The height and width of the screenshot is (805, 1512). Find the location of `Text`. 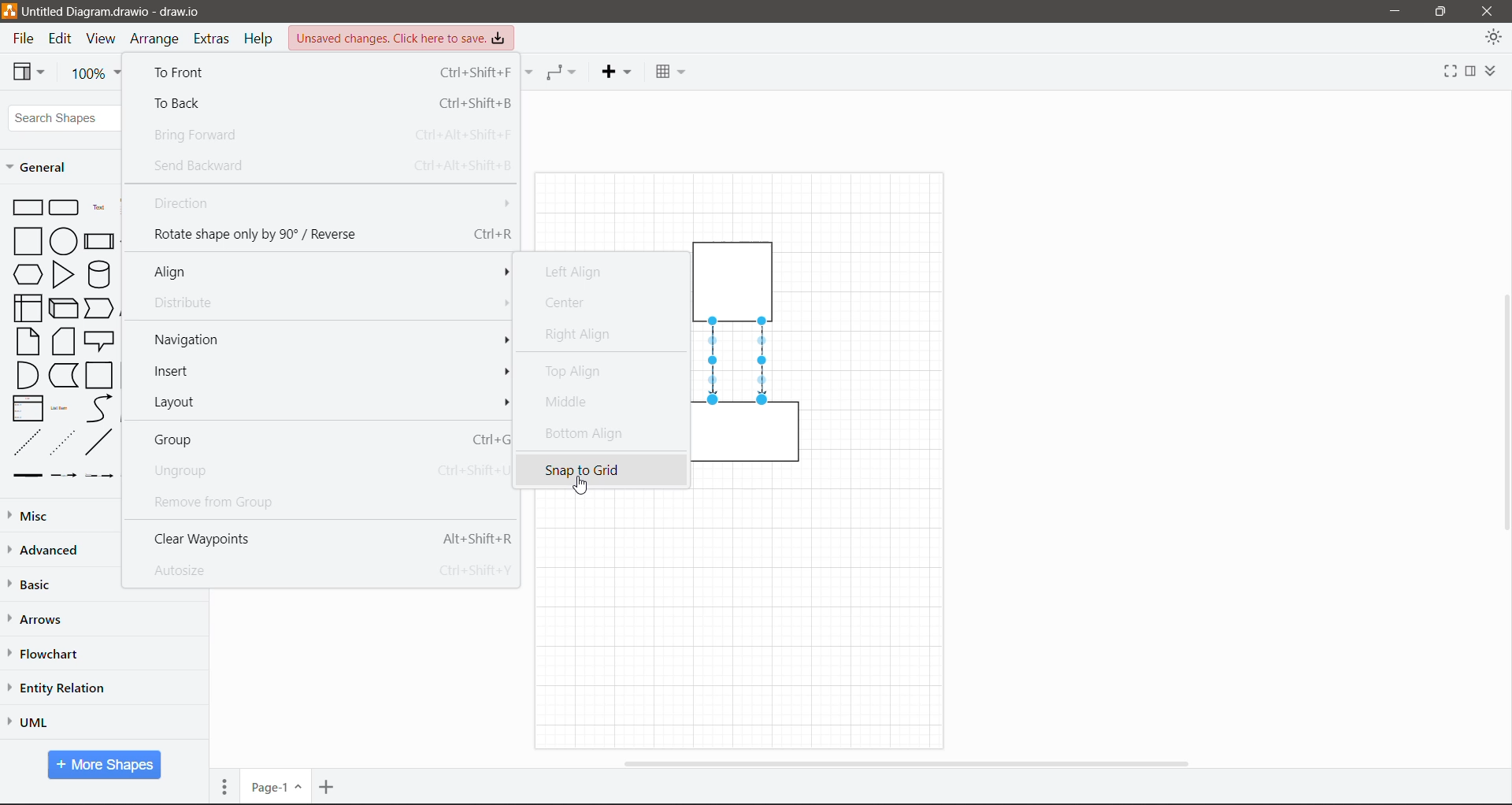

Text is located at coordinates (98, 206).